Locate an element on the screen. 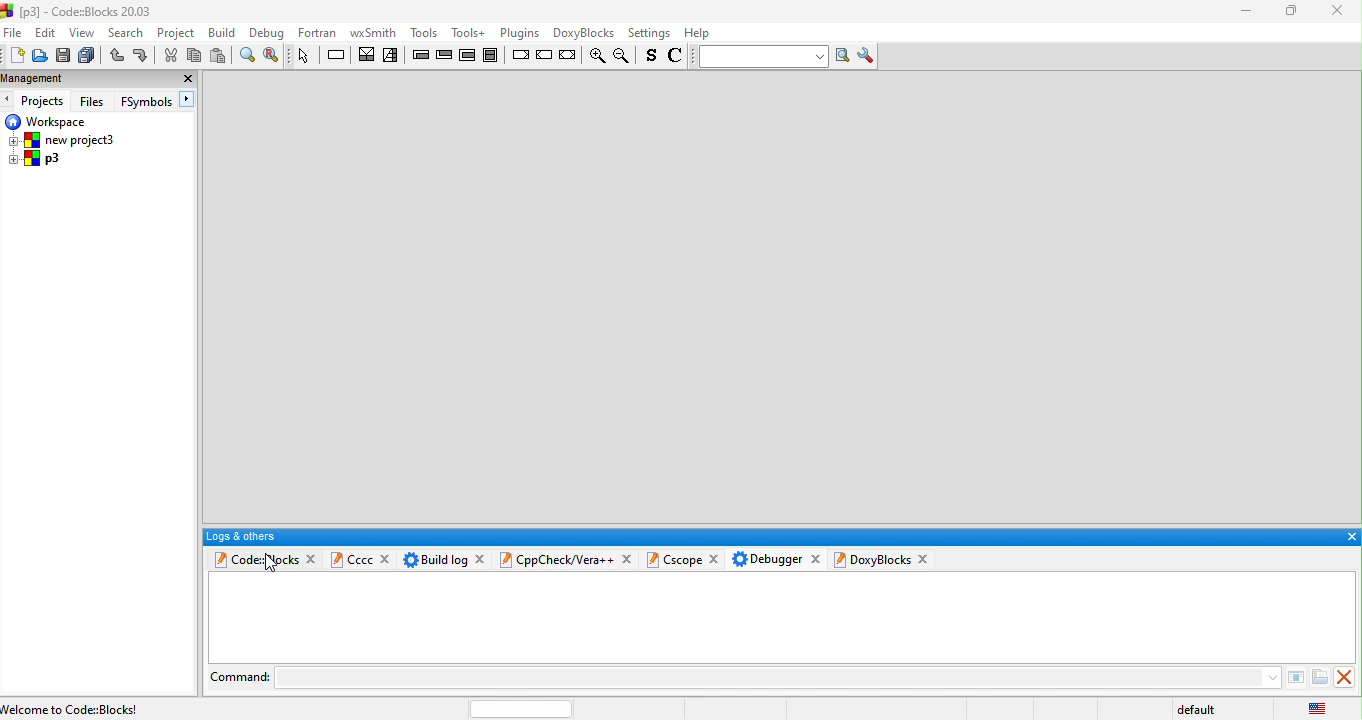 Image resolution: width=1362 pixels, height=720 pixels. close is located at coordinates (187, 79).